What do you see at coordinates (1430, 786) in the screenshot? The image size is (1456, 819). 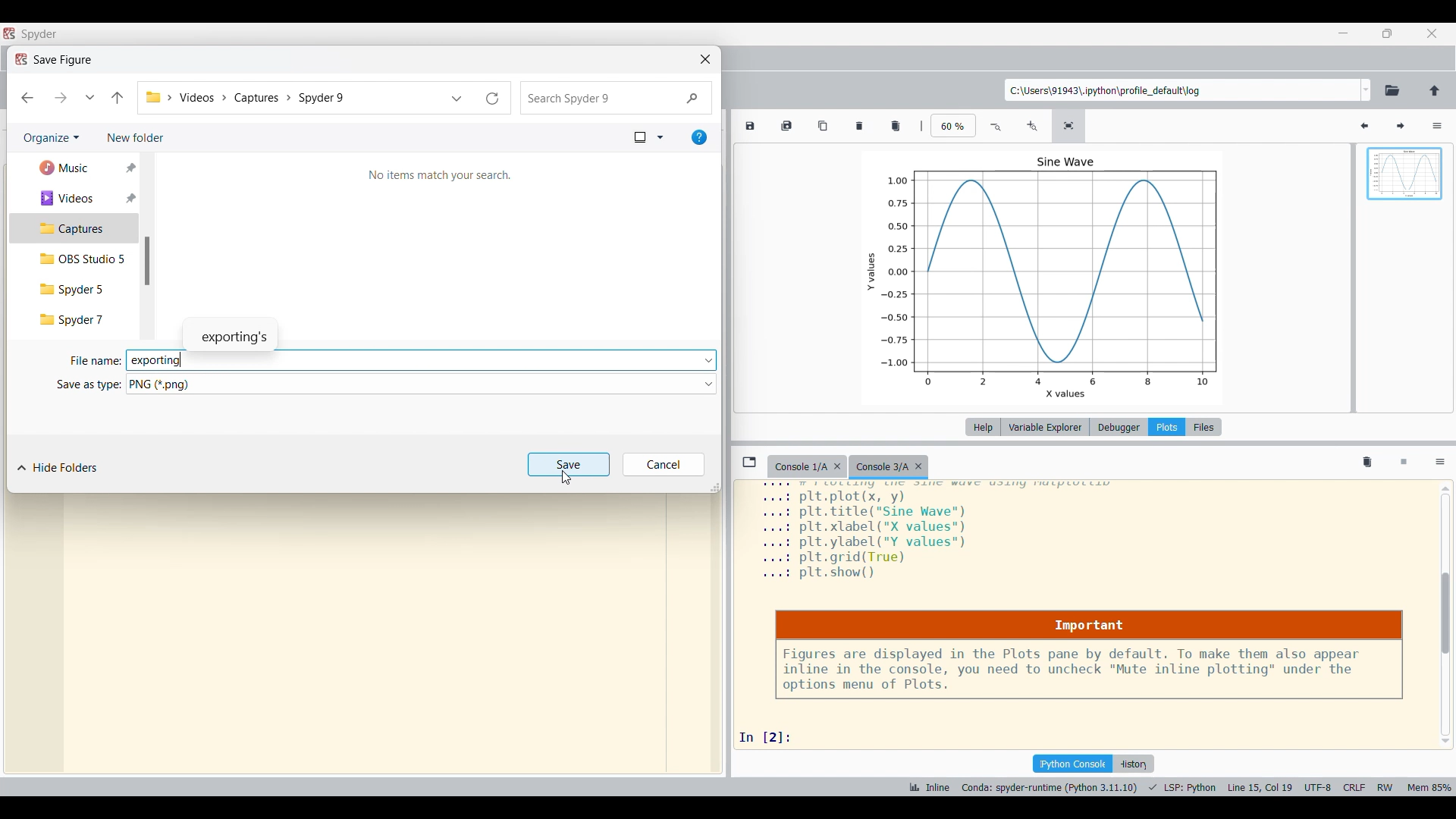 I see `memory` at bounding box center [1430, 786].